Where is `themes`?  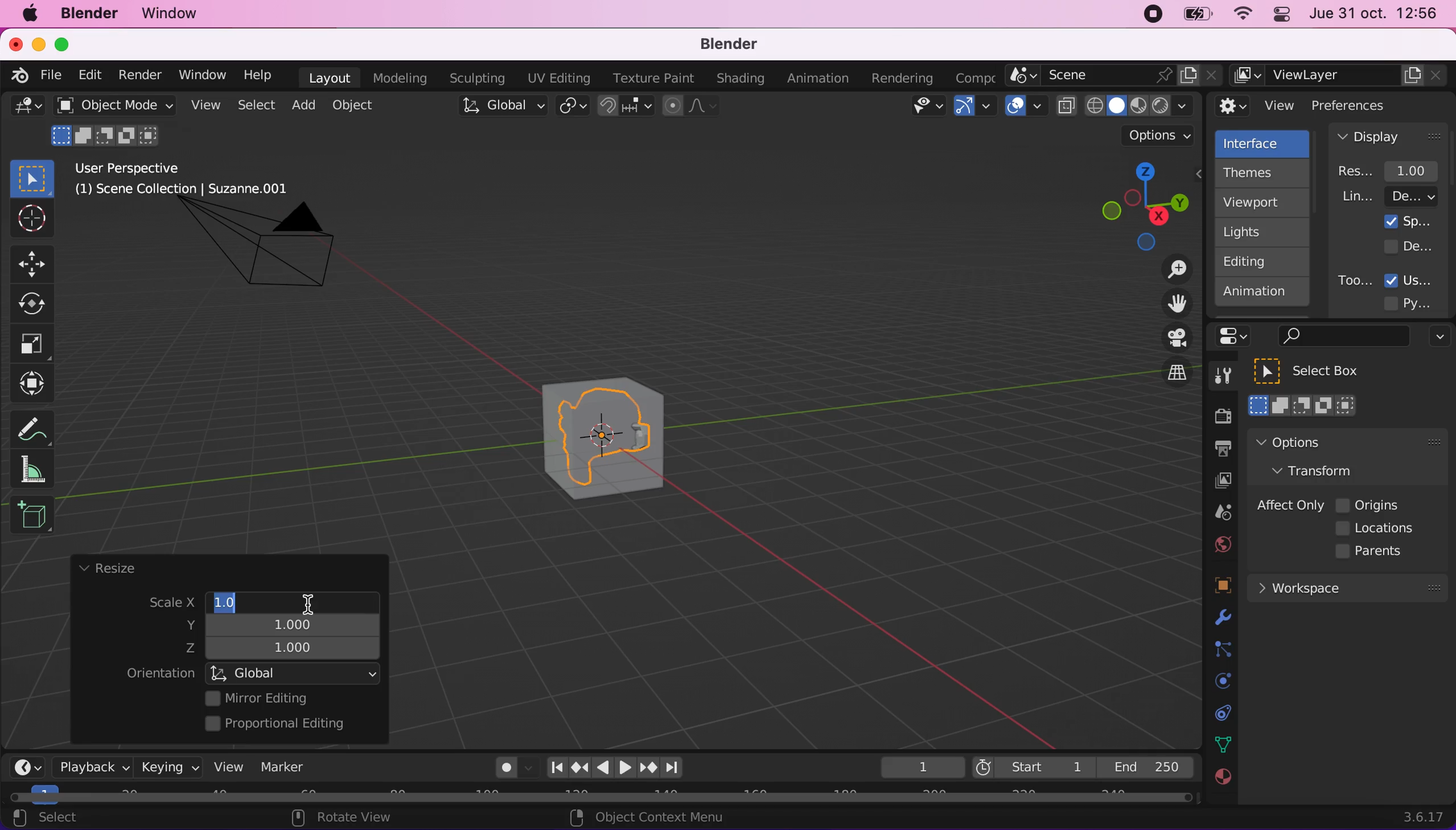
themes is located at coordinates (1261, 173).